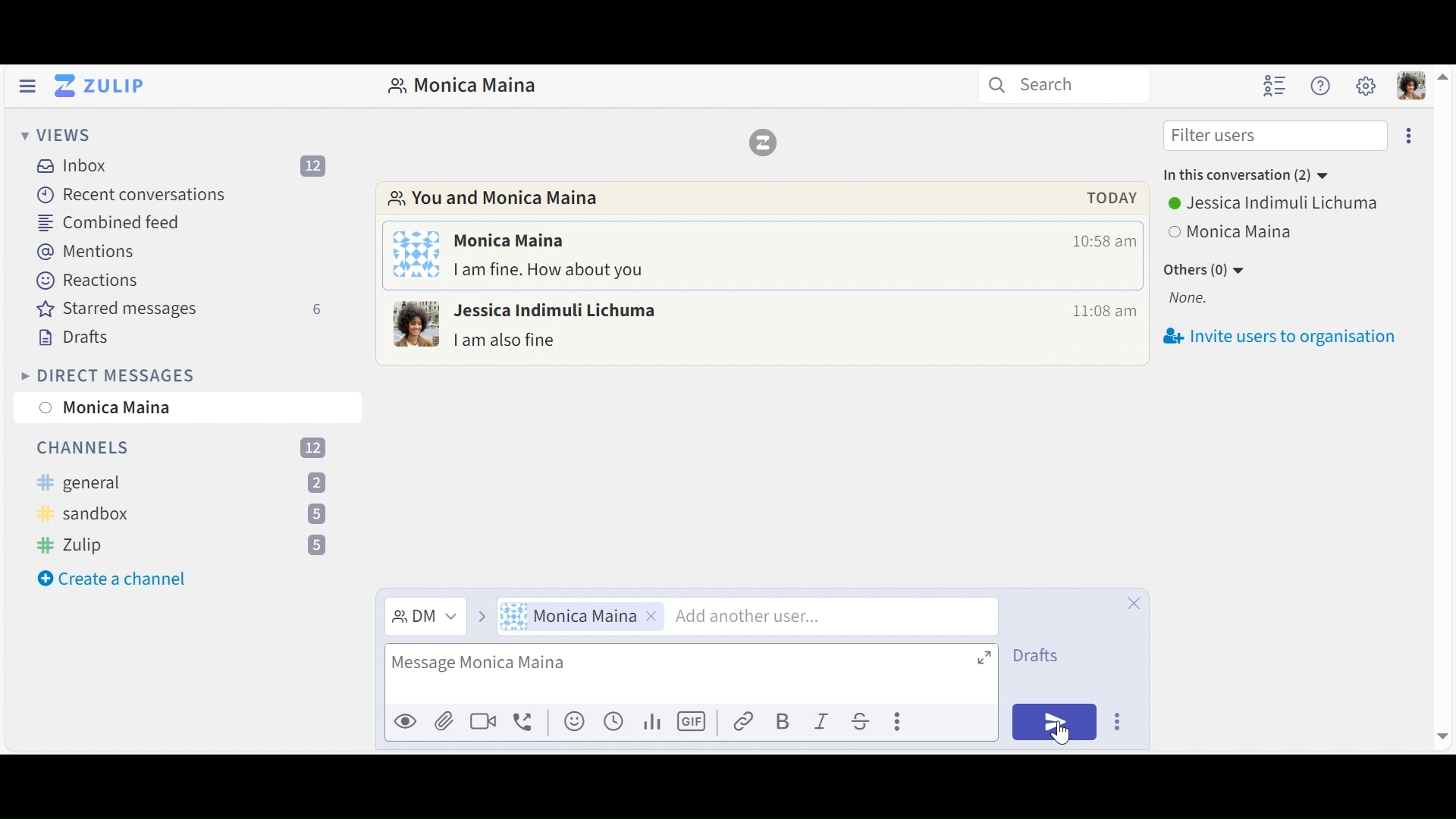 The image size is (1456, 819). What do you see at coordinates (190, 407) in the screenshot?
I see `User` at bounding box center [190, 407].